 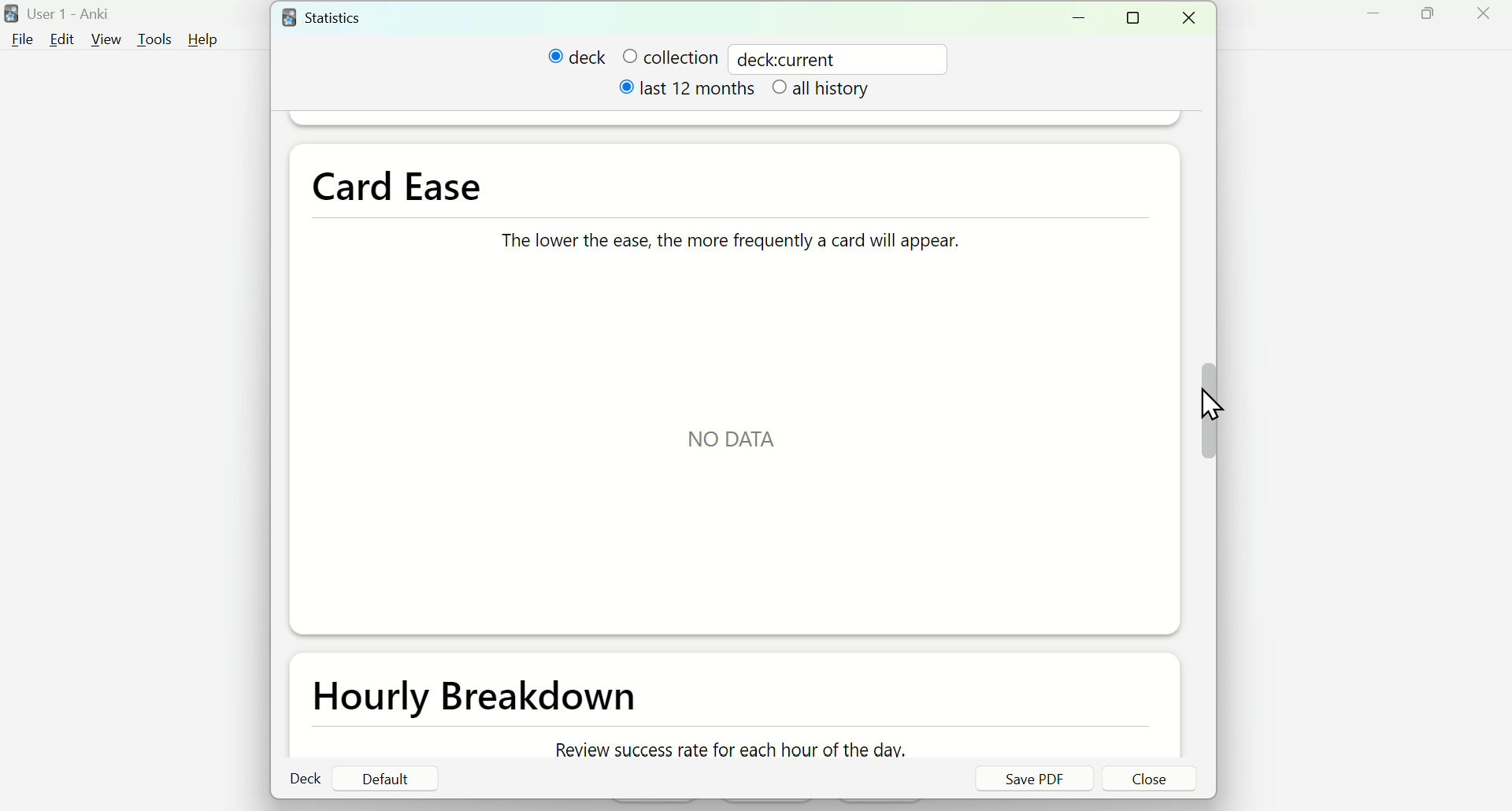 What do you see at coordinates (307, 779) in the screenshot?
I see `Deck` at bounding box center [307, 779].